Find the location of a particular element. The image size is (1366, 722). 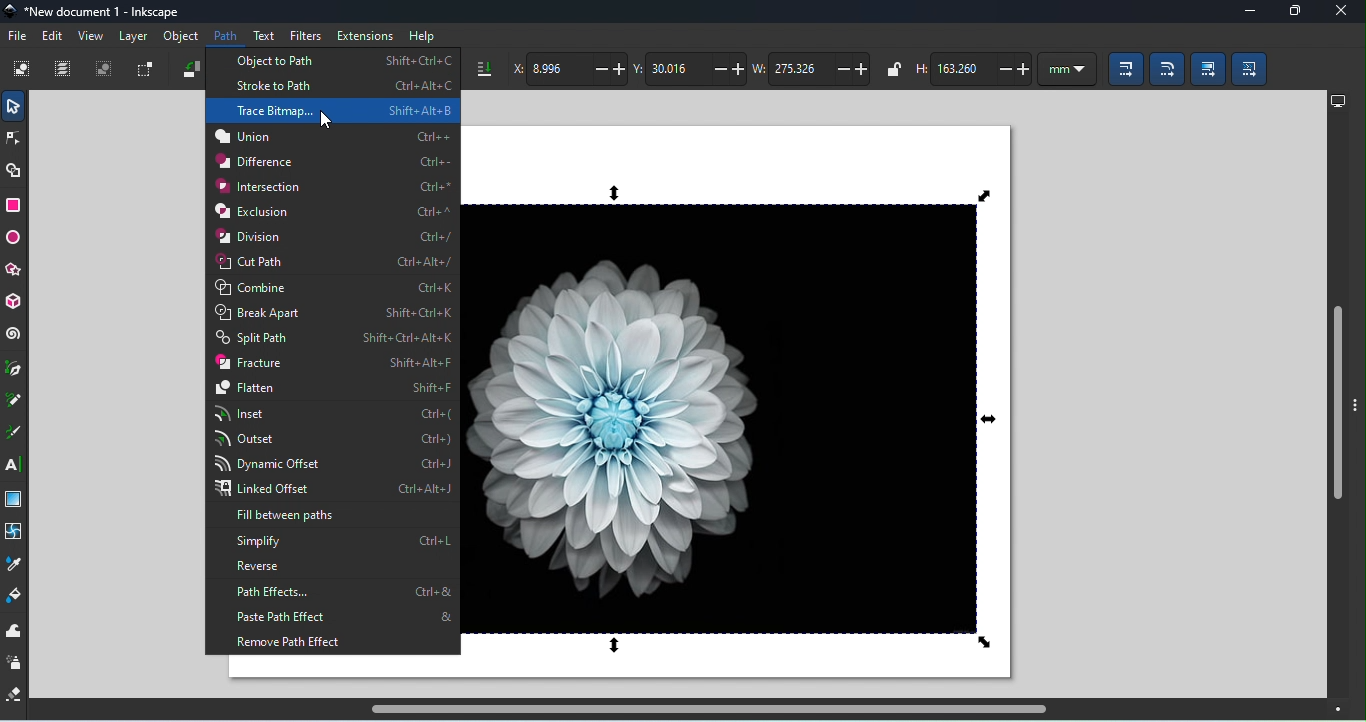

File name is located at coordinates (94, 12).